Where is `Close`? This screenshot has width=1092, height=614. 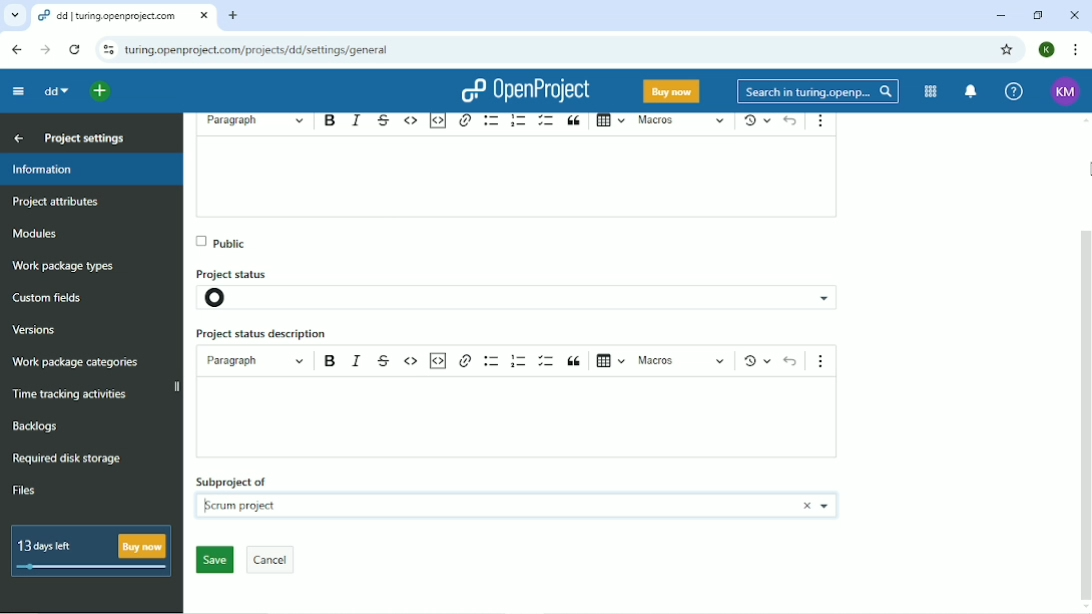
Close is located at coordinates (808, 505).